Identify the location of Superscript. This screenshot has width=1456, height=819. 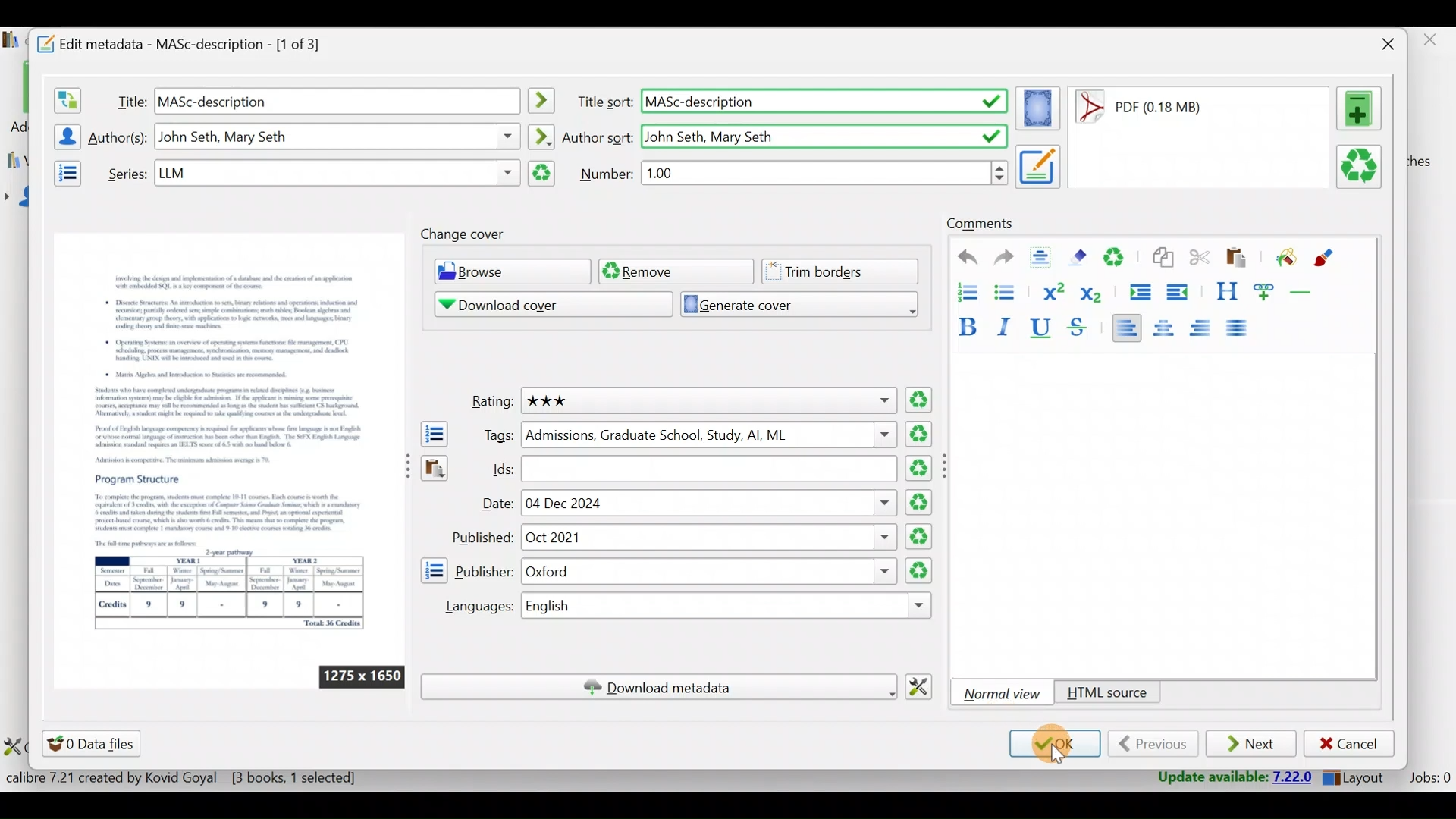
(1052, 290).